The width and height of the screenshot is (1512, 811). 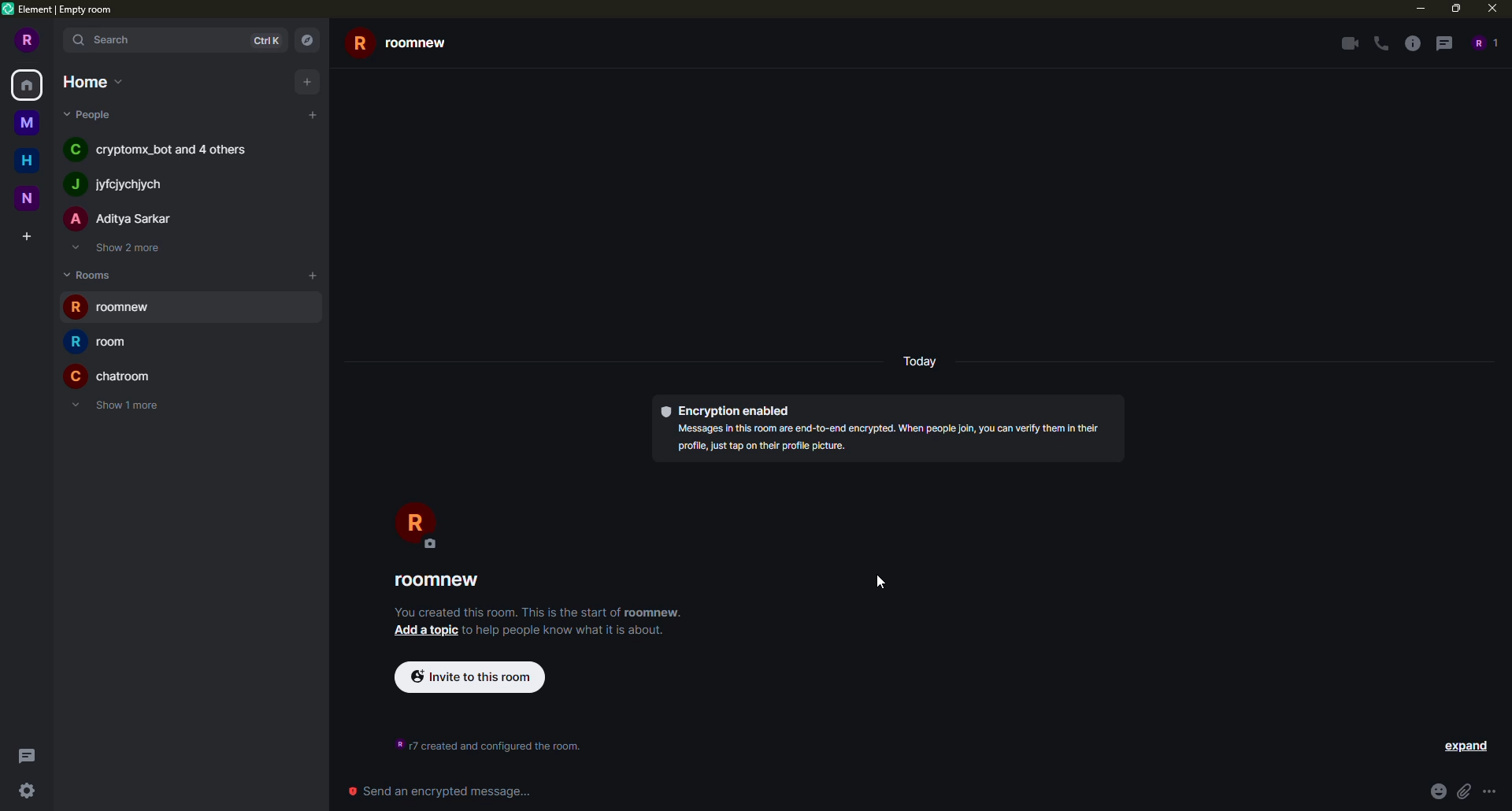 I want to click on element, so click(x=57, y=8).